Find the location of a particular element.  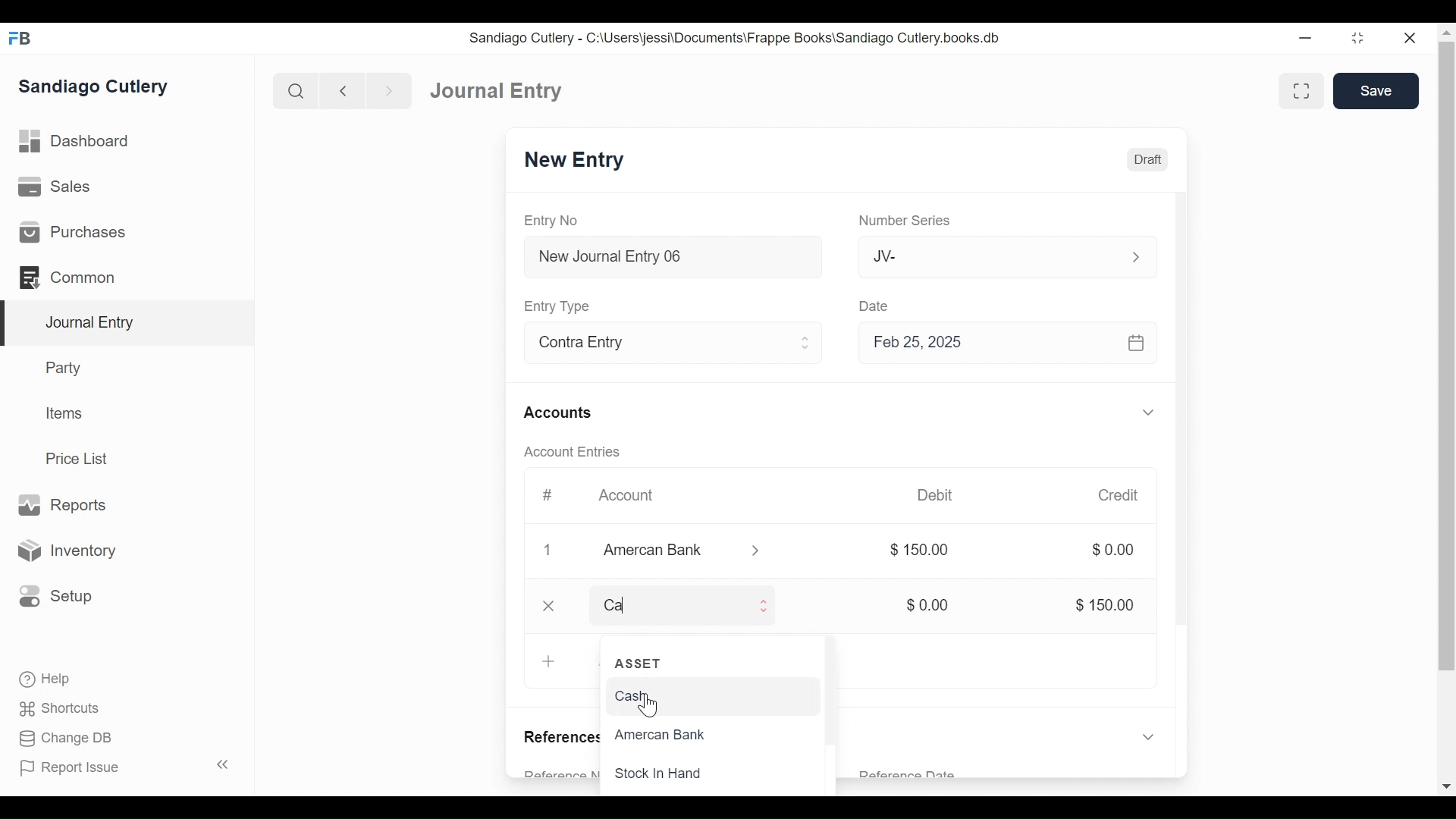

Change DB is located at coordinates (68, 740).